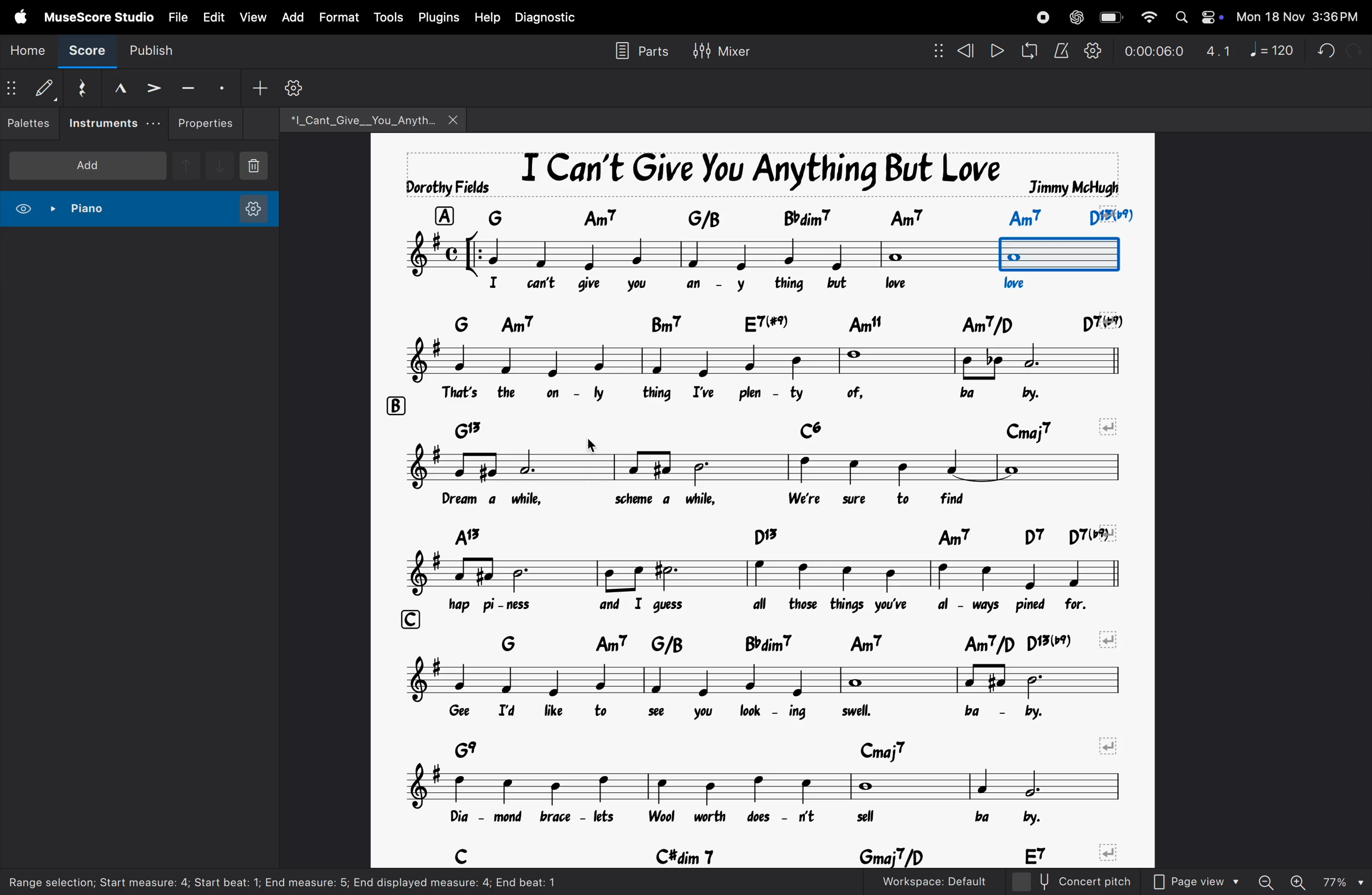 The width and height of the screenshot is (1372, 895). What do you see at coordinates (753, 174) in the screenshot?
I see `song title` at bounding box center [753, 174].